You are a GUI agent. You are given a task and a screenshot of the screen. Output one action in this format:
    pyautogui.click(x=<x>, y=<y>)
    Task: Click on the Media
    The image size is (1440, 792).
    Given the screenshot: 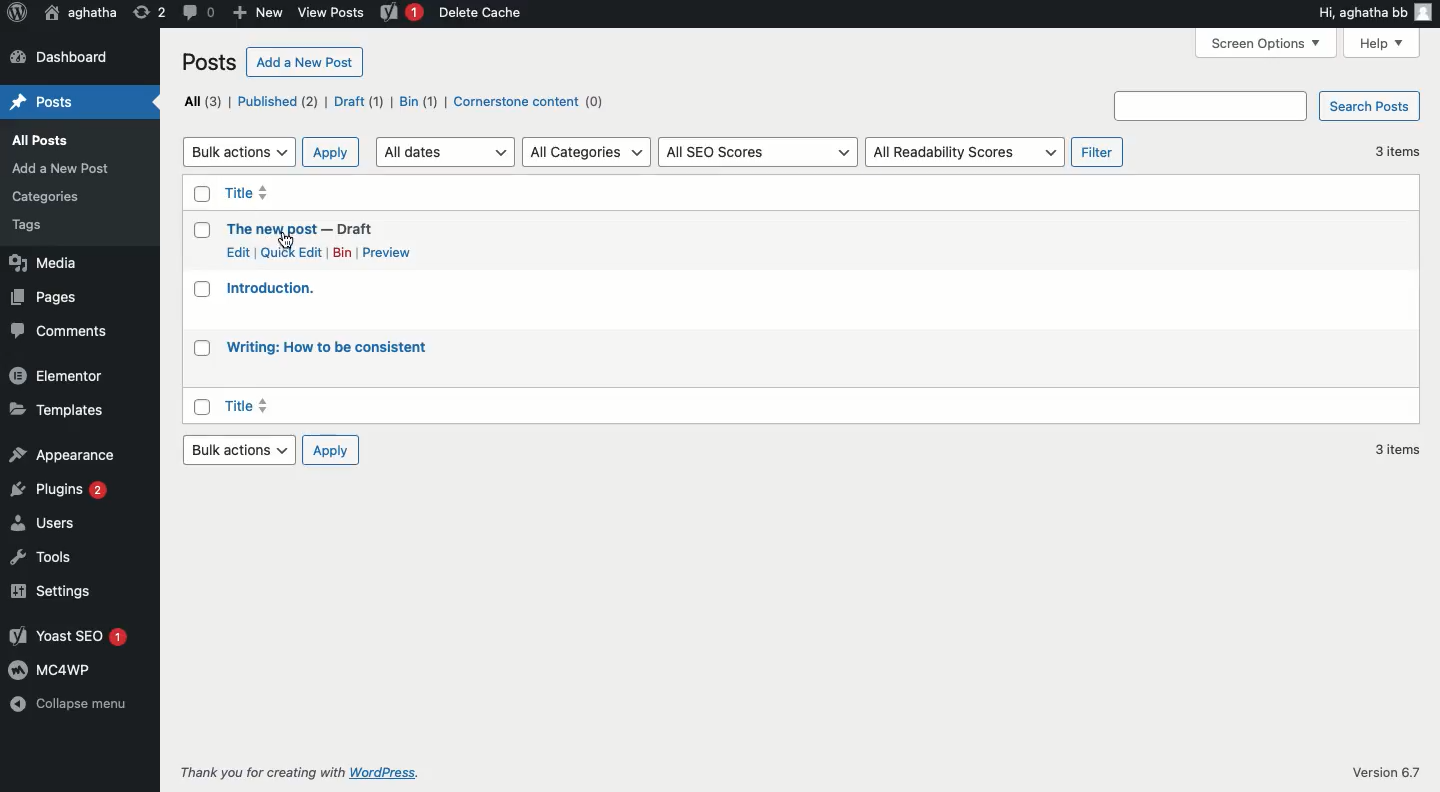 What is the action you would take?
    pyautogui.click(x=47, y=265)
    